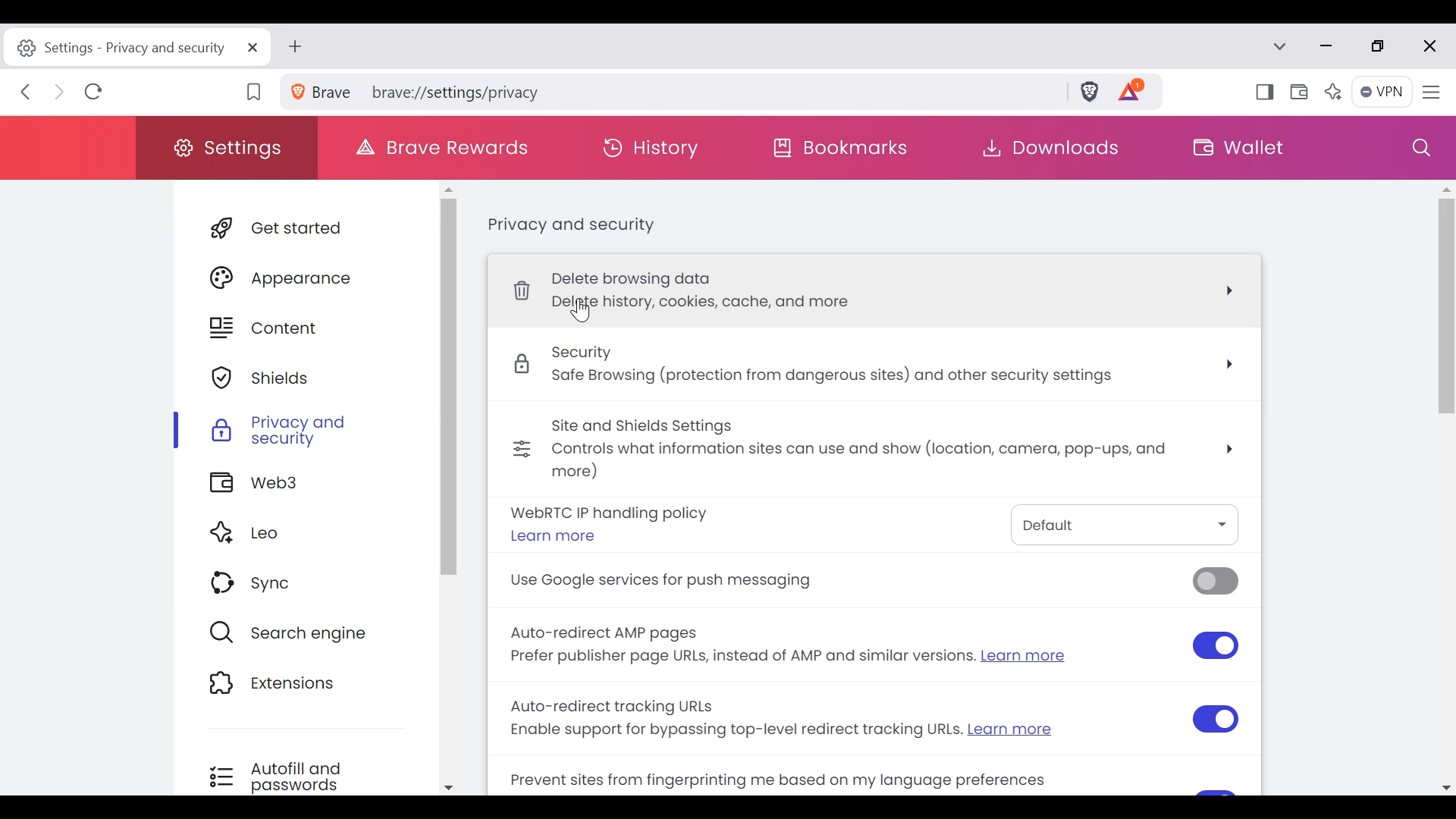  I want to click on Scrollbar, so click(447, 387).